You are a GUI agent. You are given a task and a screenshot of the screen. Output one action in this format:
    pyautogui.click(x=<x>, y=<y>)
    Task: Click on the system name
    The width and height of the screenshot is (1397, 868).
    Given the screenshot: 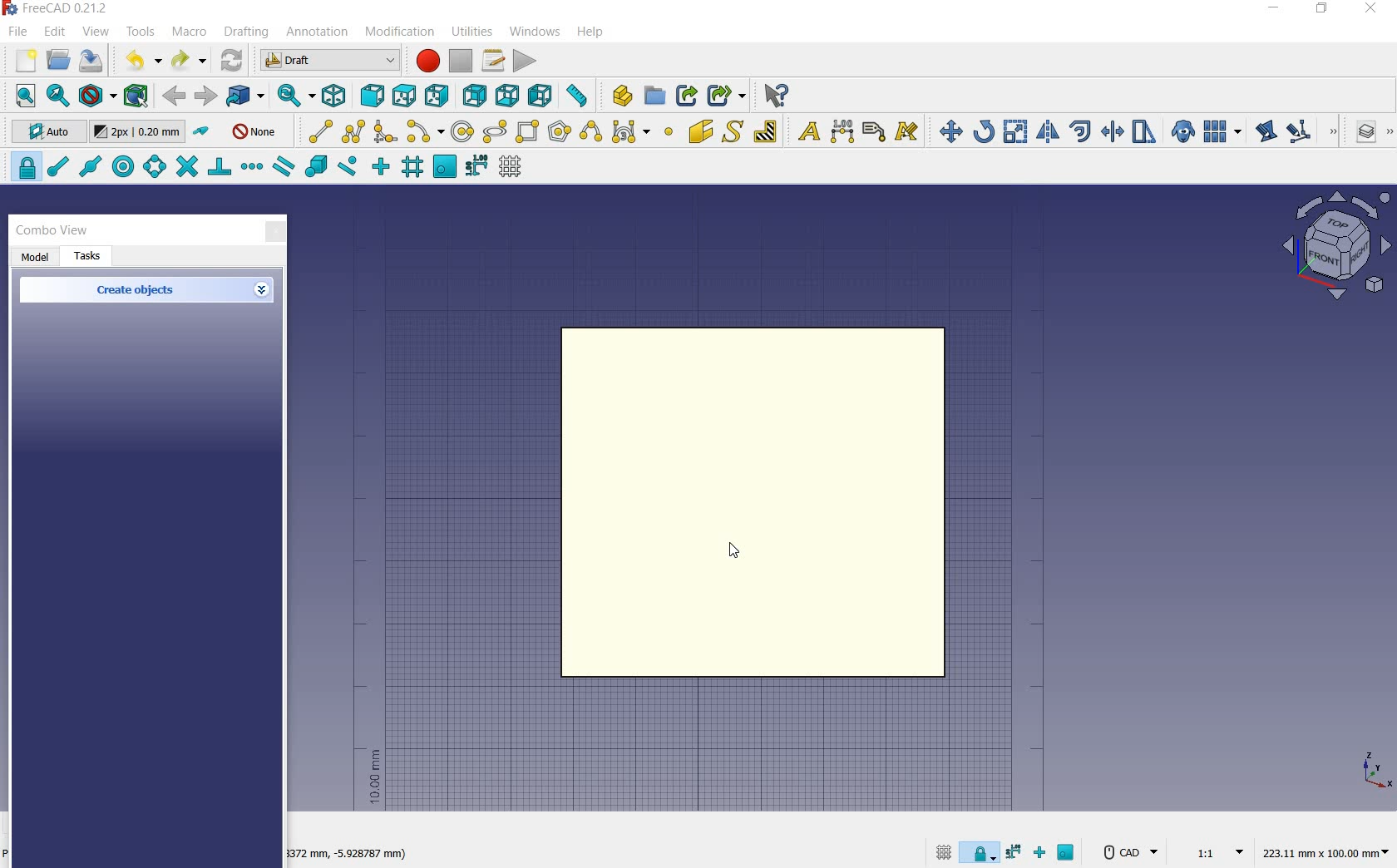 What is the action you would take?
    pyautogui.click(x=60, y=8)
    